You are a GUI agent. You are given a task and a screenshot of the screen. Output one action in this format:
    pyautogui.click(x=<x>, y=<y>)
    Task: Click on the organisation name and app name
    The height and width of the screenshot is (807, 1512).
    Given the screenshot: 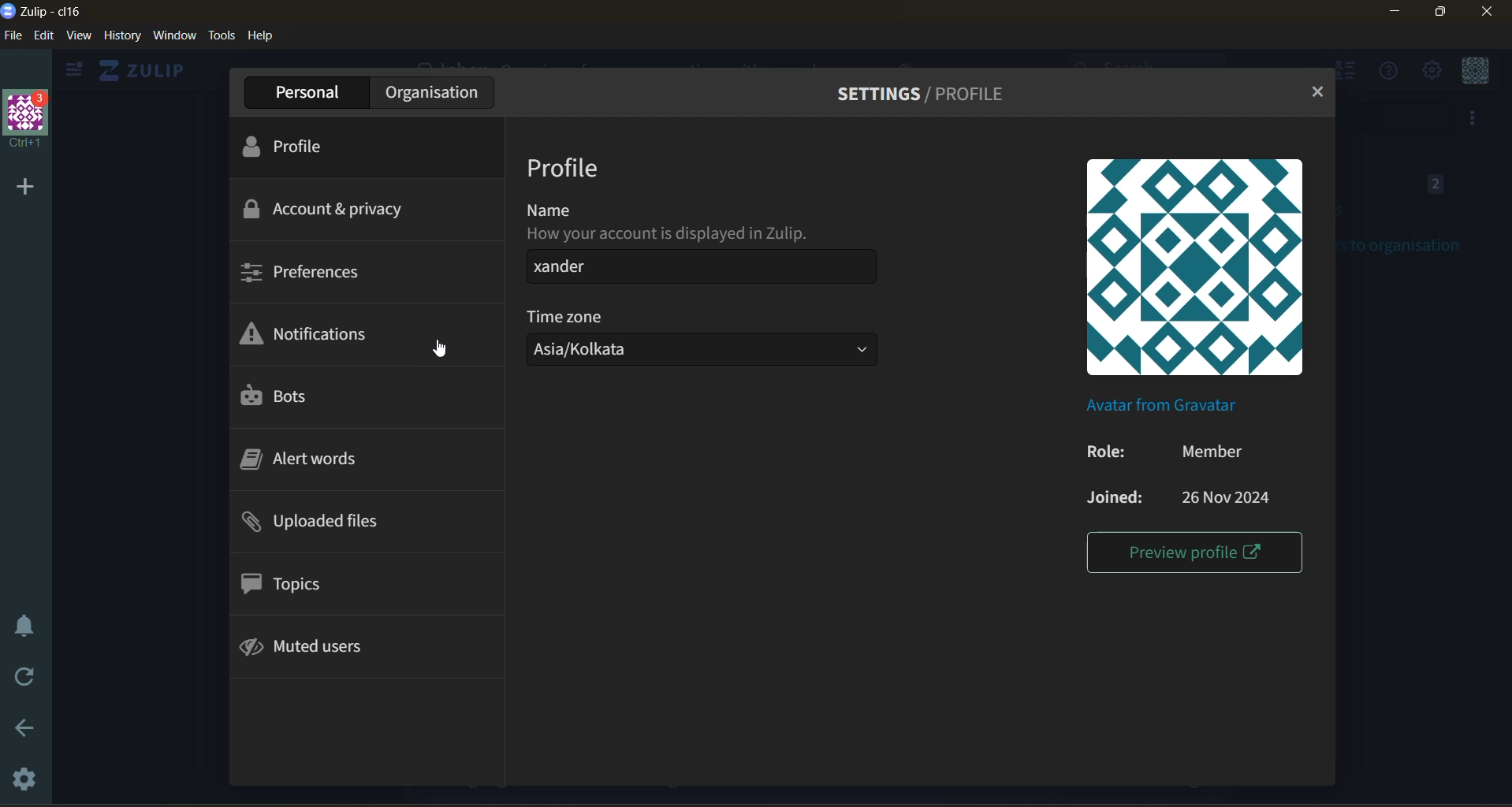 What is the action you would take?
    pyautogui.click(x=50, y=10)
    